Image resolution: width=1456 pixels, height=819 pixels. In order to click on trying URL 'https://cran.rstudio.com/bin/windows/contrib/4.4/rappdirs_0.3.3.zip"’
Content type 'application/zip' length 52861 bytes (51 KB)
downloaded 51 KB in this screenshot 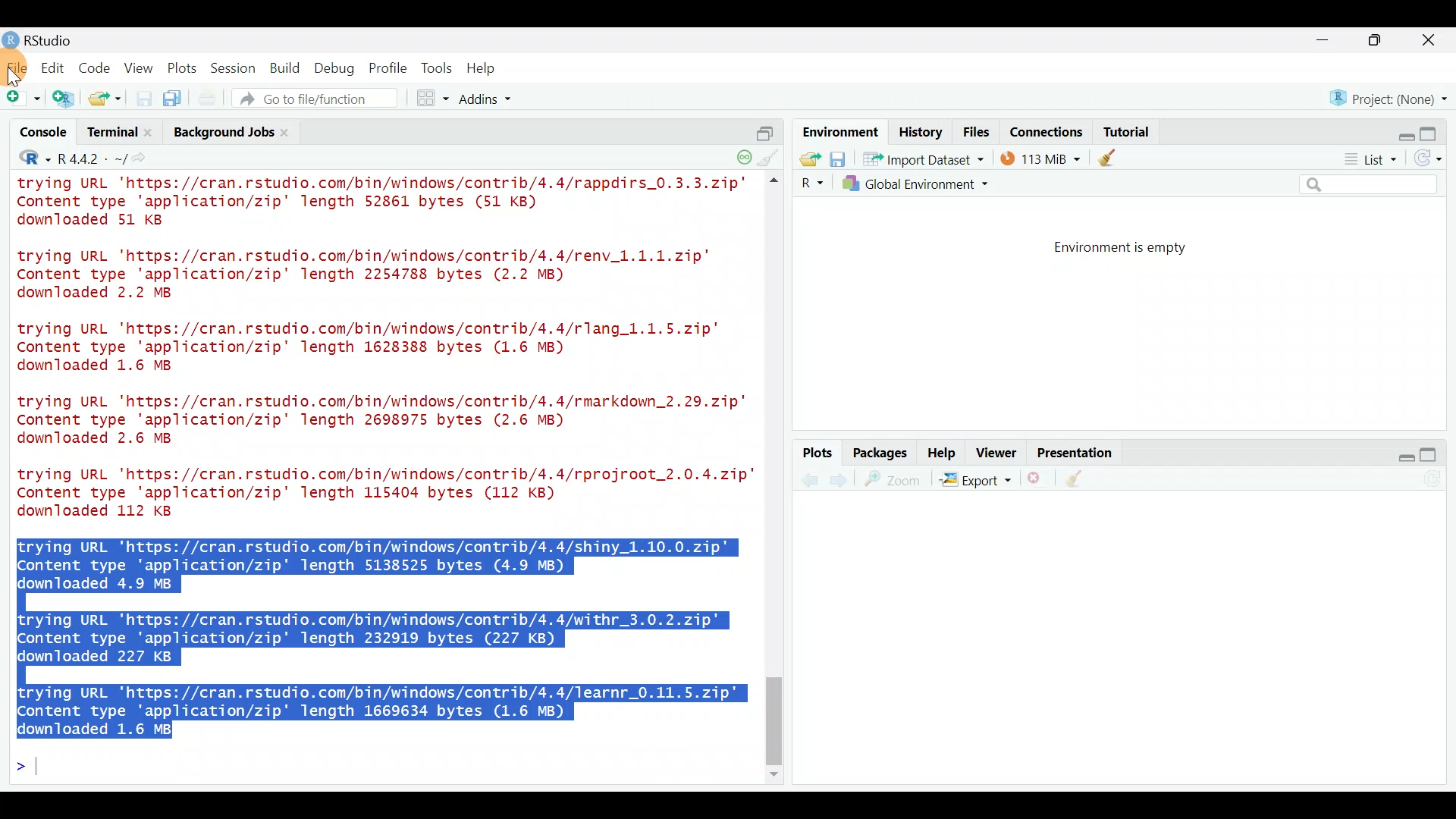, I will do `click(385, 204)`.